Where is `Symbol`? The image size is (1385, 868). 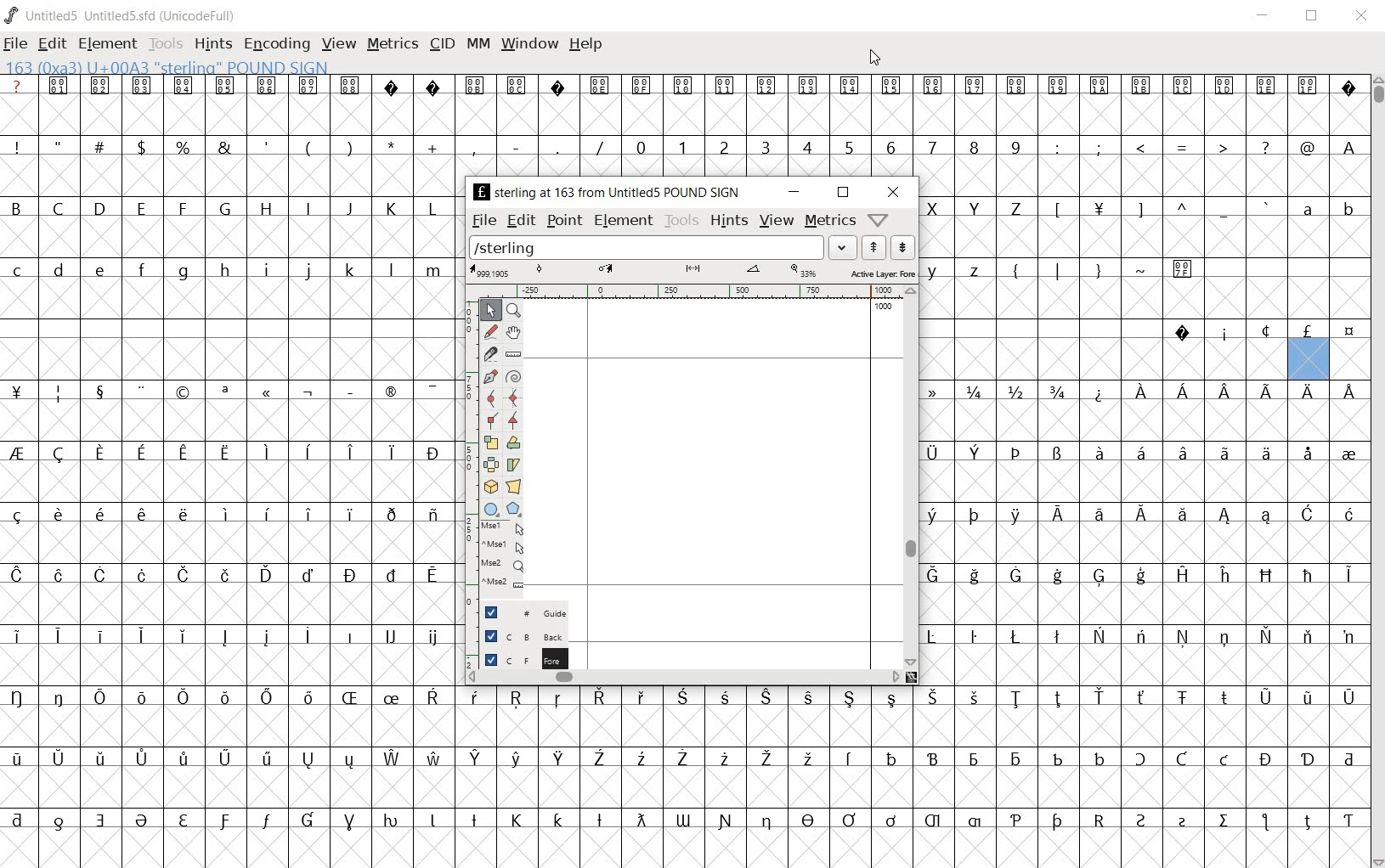
Symbol is located at coordinates (807, 697).